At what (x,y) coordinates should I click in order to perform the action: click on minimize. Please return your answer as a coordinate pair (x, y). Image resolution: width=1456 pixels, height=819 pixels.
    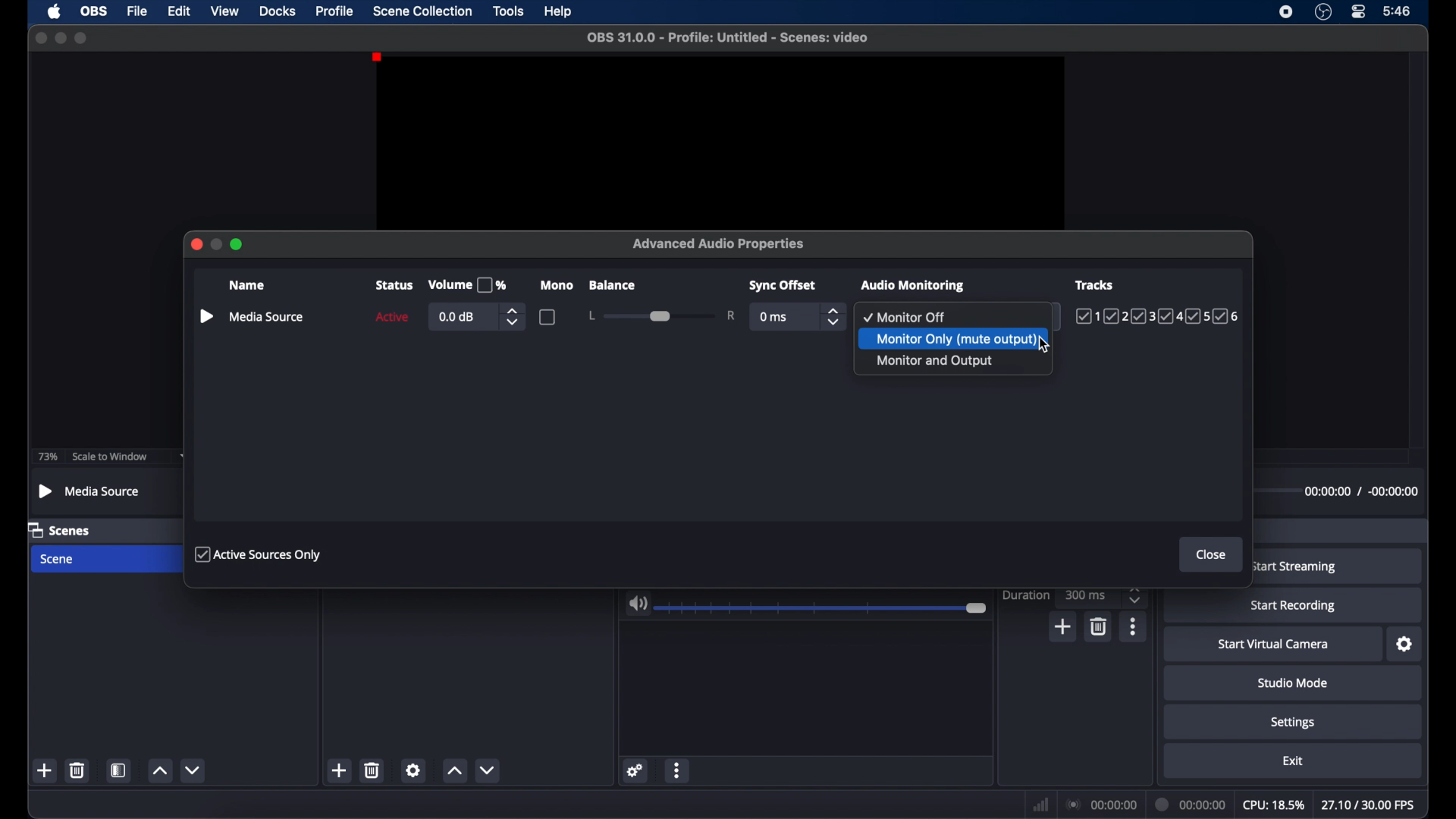
    Looking at the image, I should click on (60, 37).